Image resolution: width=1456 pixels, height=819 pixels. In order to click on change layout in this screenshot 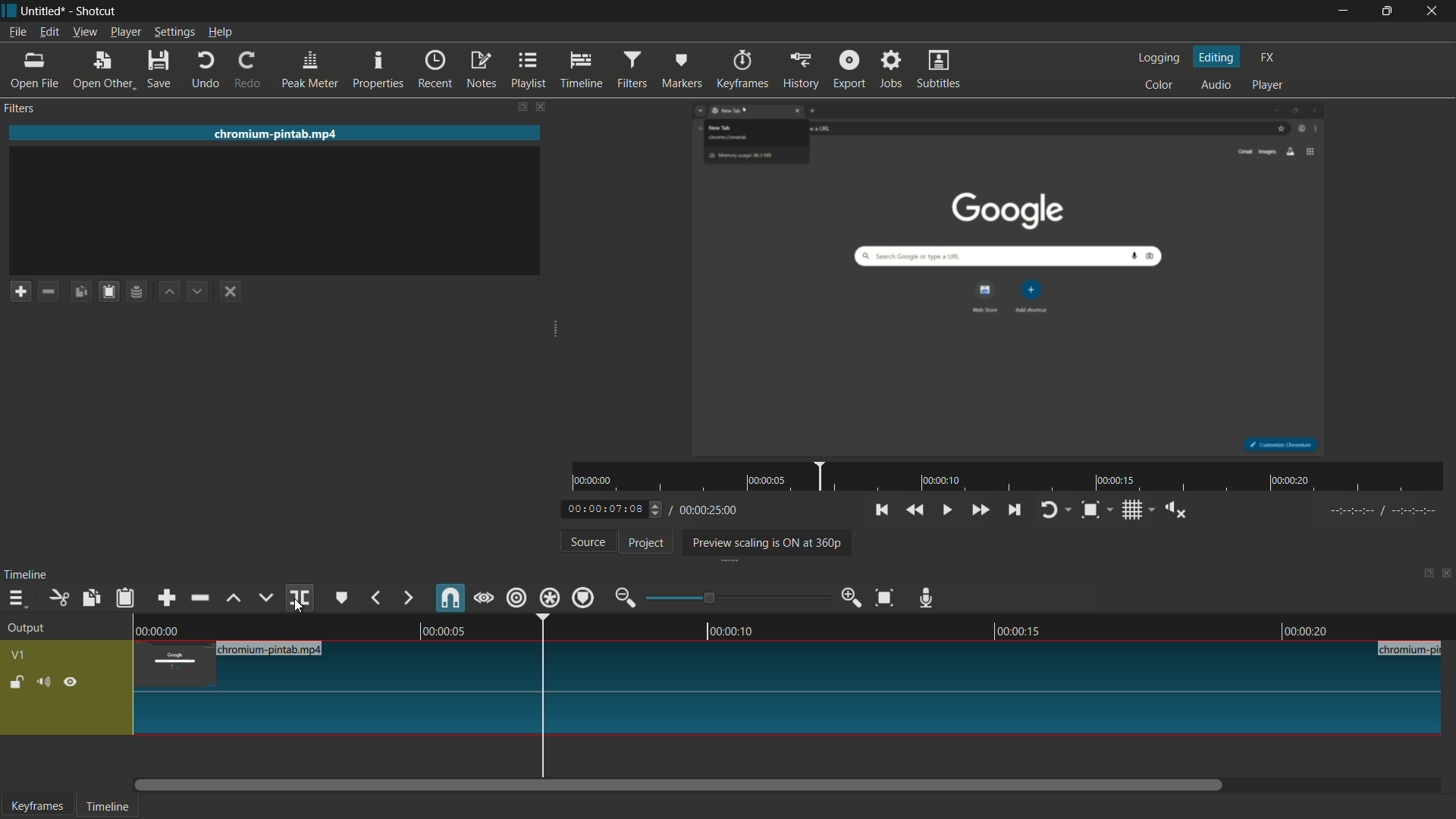, I will do `click(1423, 577)`.